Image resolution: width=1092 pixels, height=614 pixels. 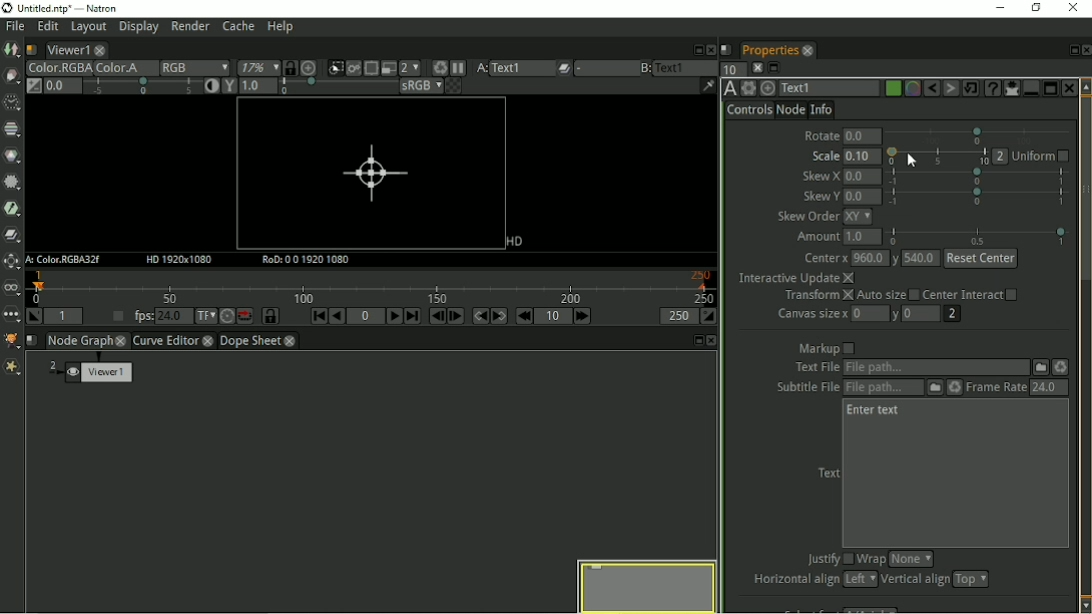 What do you see at coordinates (151, 86) in the screenshot?
I see `Auto contrast` at bounding box center [151, 86].